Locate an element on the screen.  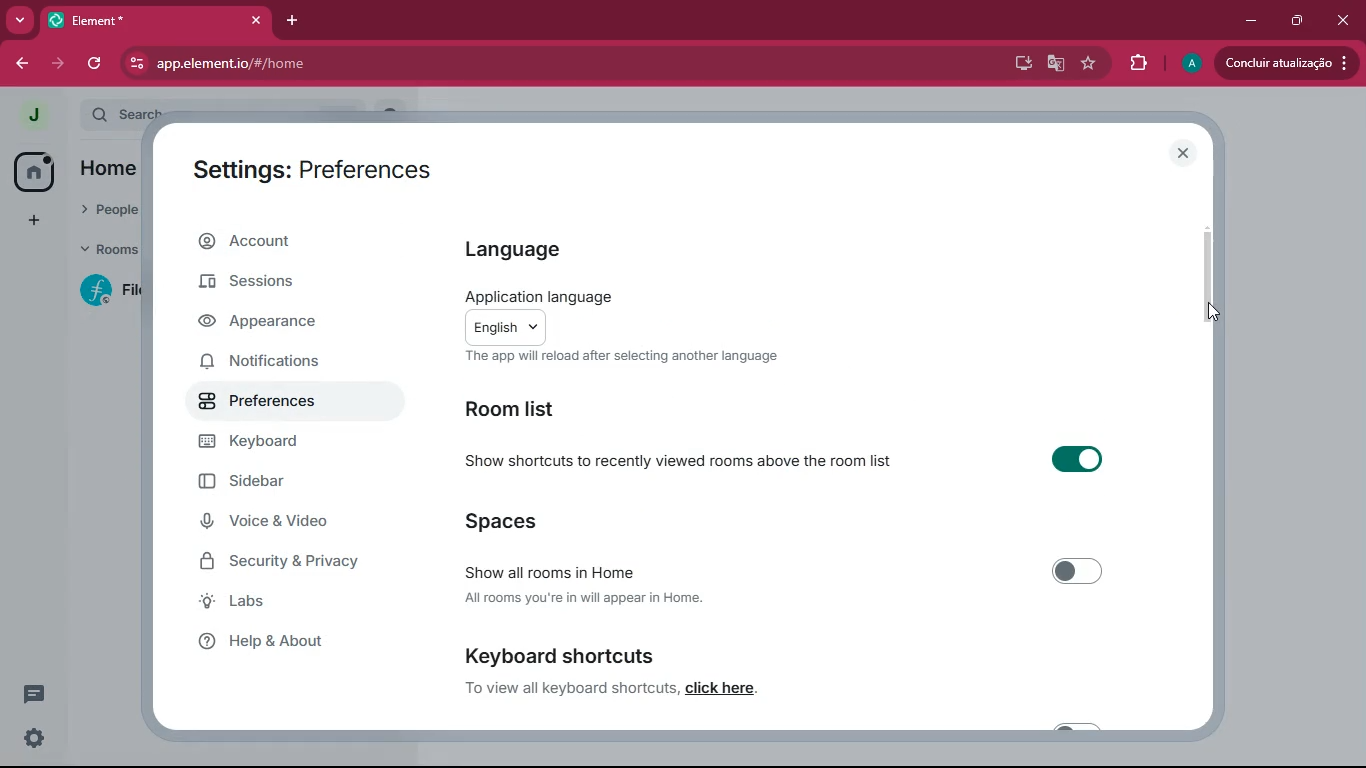
The app will reload after selecting another language is located at coordinates (618, 360).